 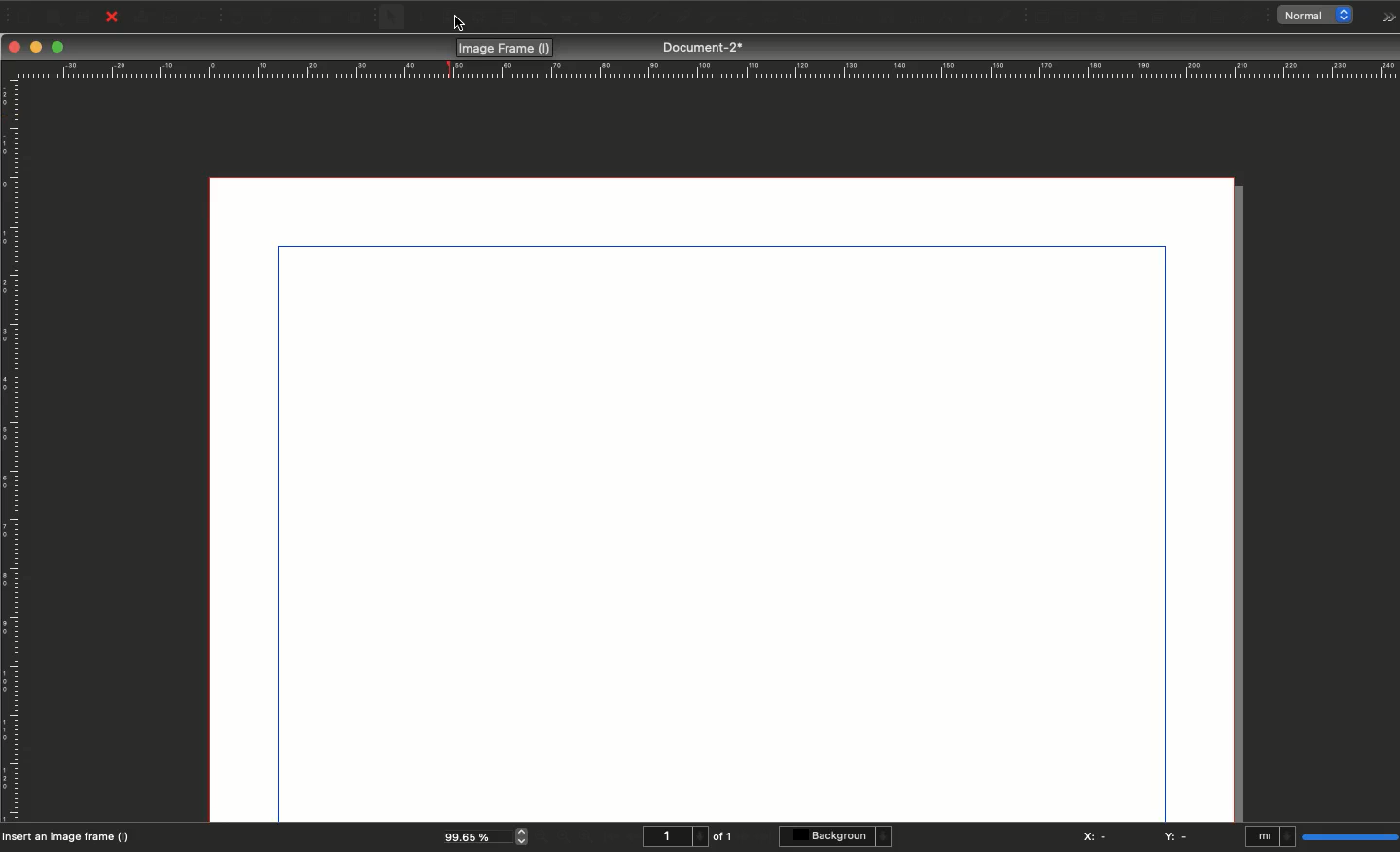 I want to click on Link text frames, so click(x=880, y=17).